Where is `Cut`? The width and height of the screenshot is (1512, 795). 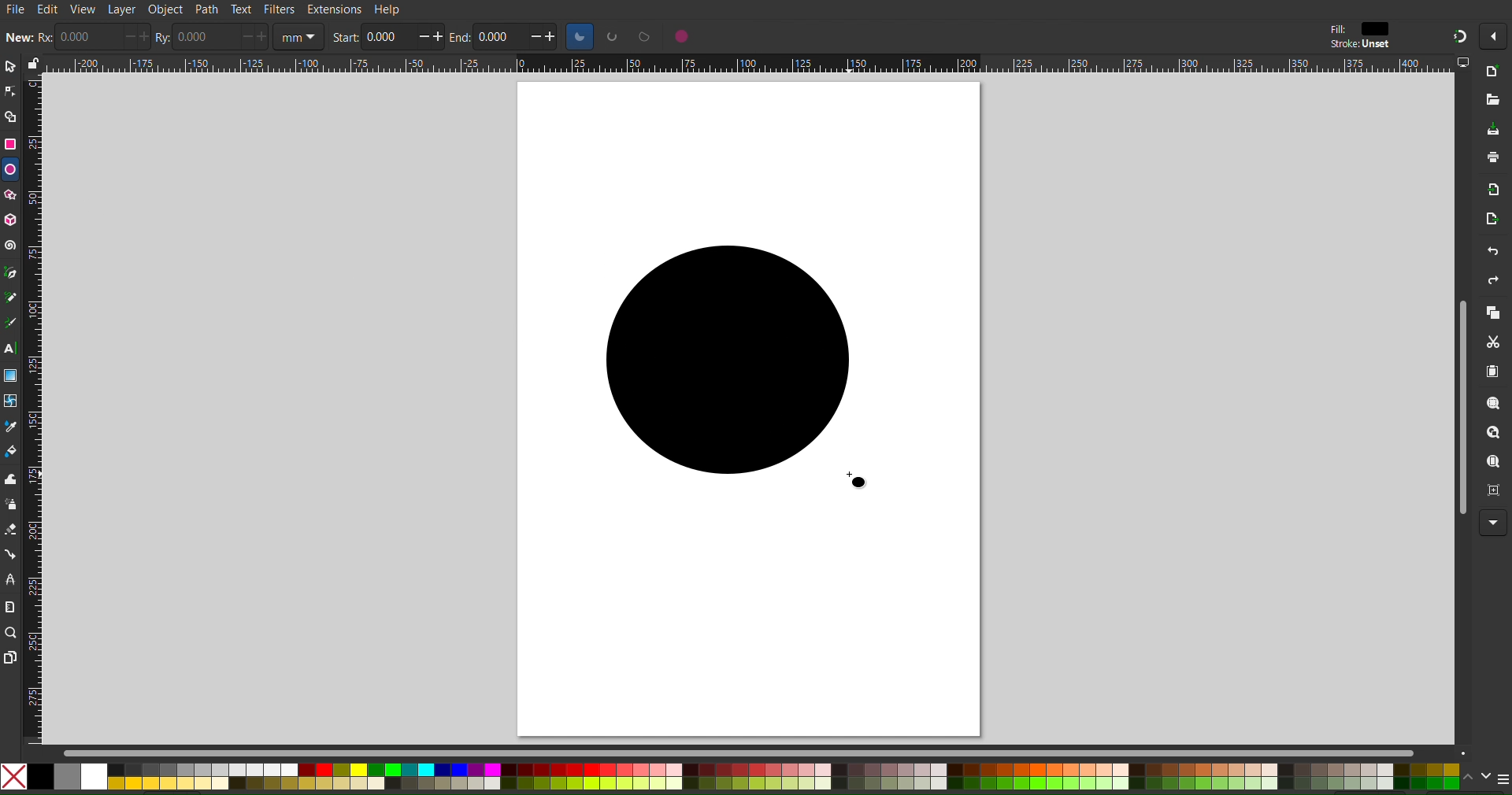 Cut is located at coordinates (1492, 342).